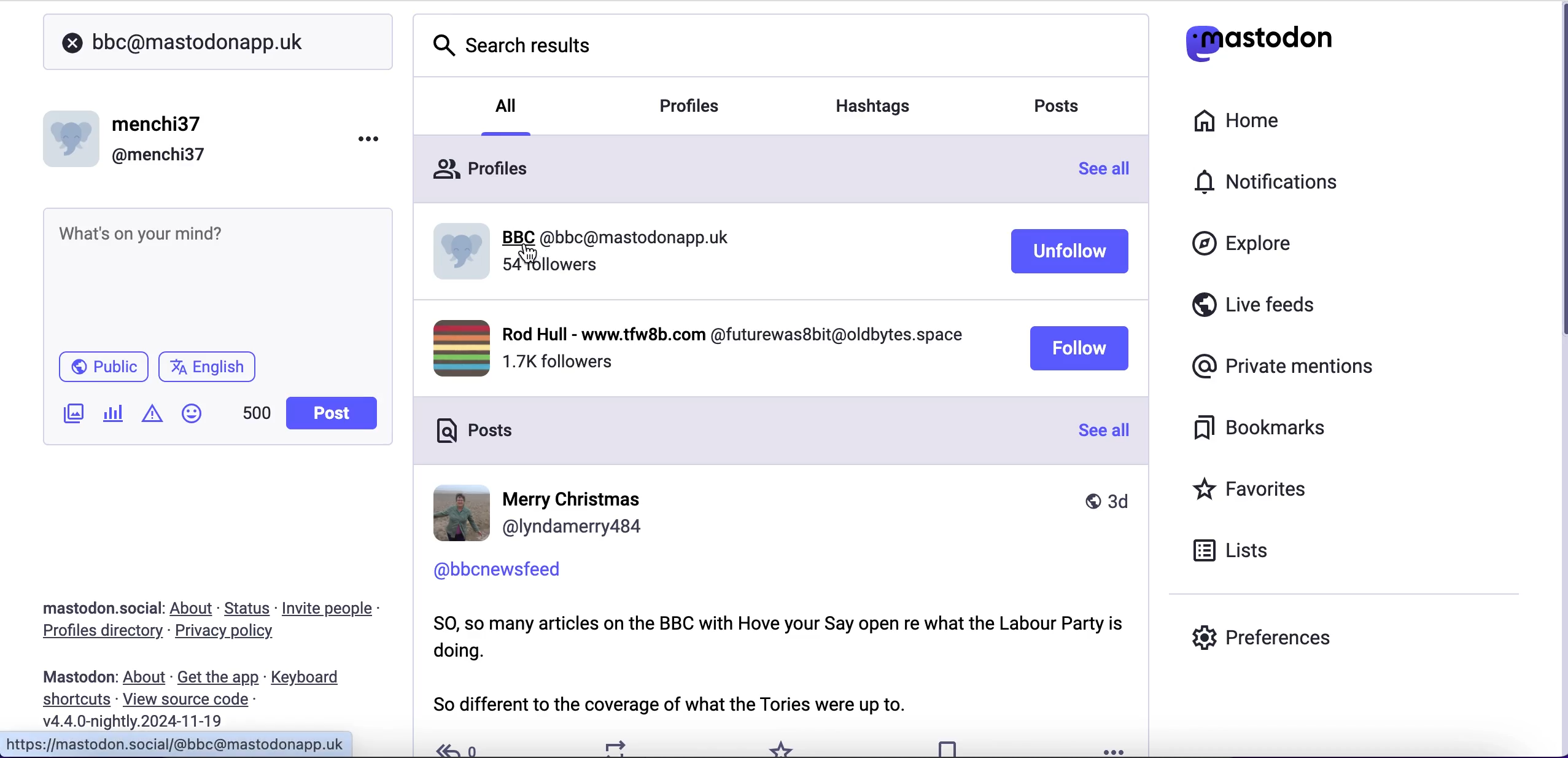 This screenshot has height=758, width=1568. Describe the element at coordinates (190, 700) in the screenshot. I see `view source code` at that location.